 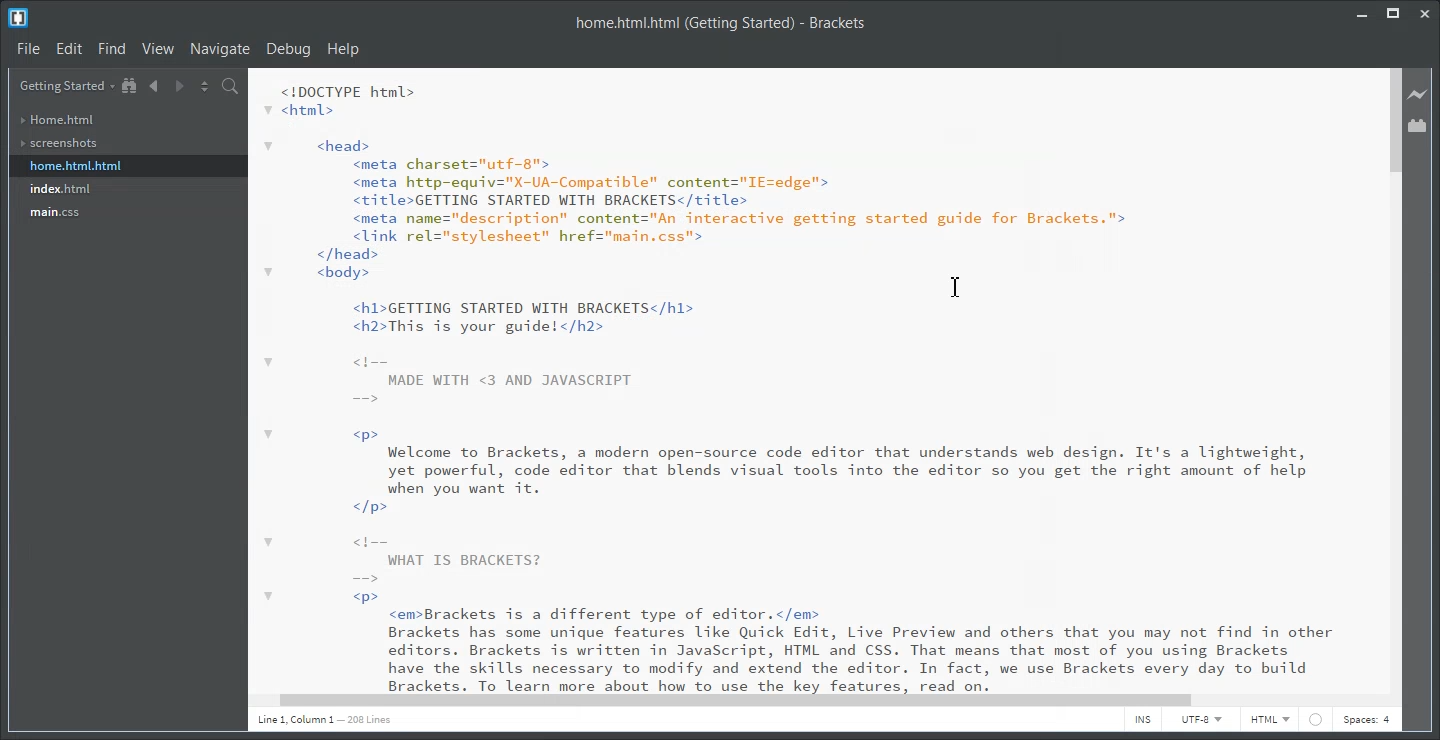 I want to click on home.html.html, so click(x=75, y=166).